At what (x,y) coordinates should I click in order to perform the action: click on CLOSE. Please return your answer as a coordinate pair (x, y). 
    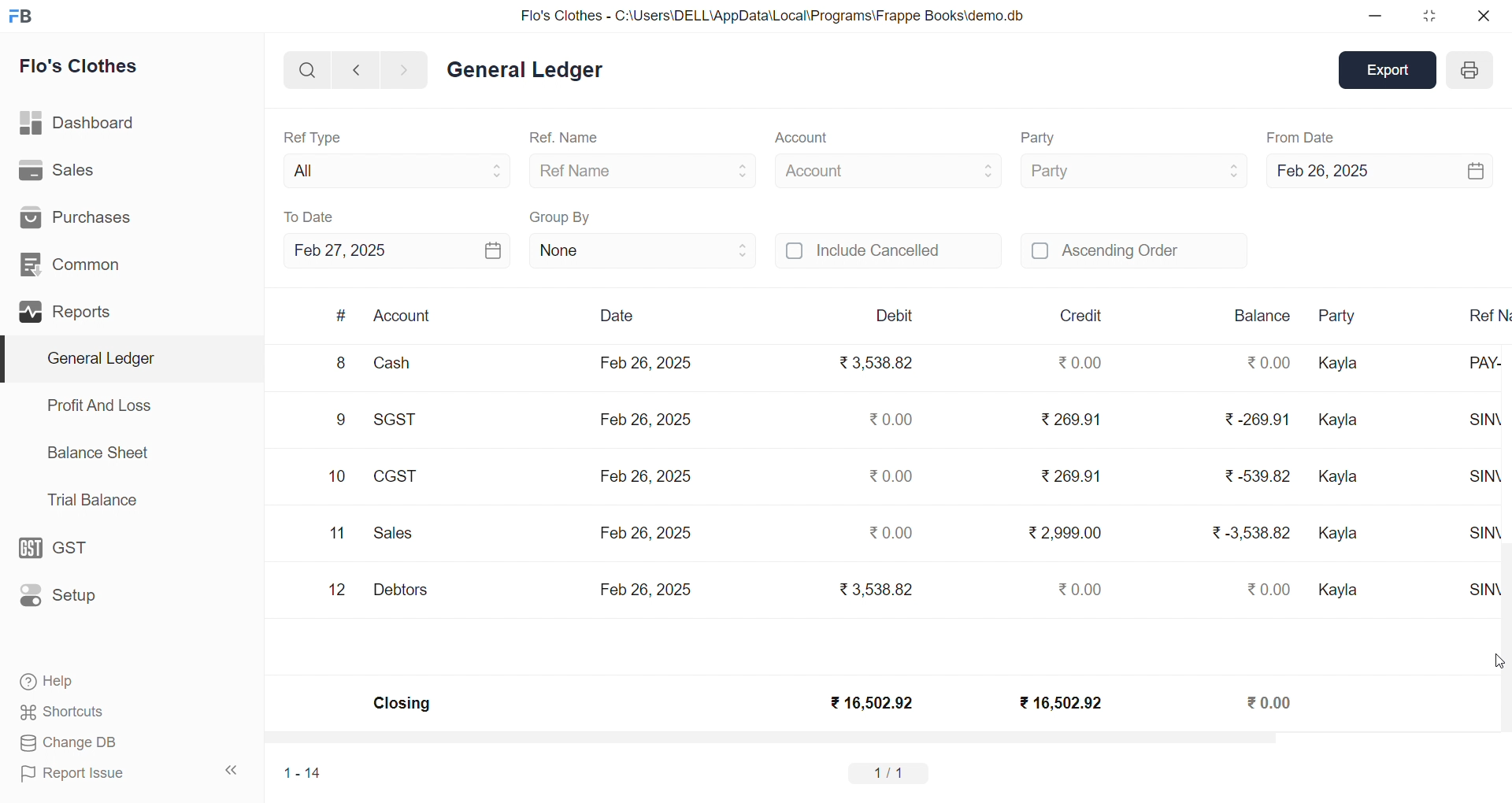
    Looking at the image, I should click on (1482, 16).